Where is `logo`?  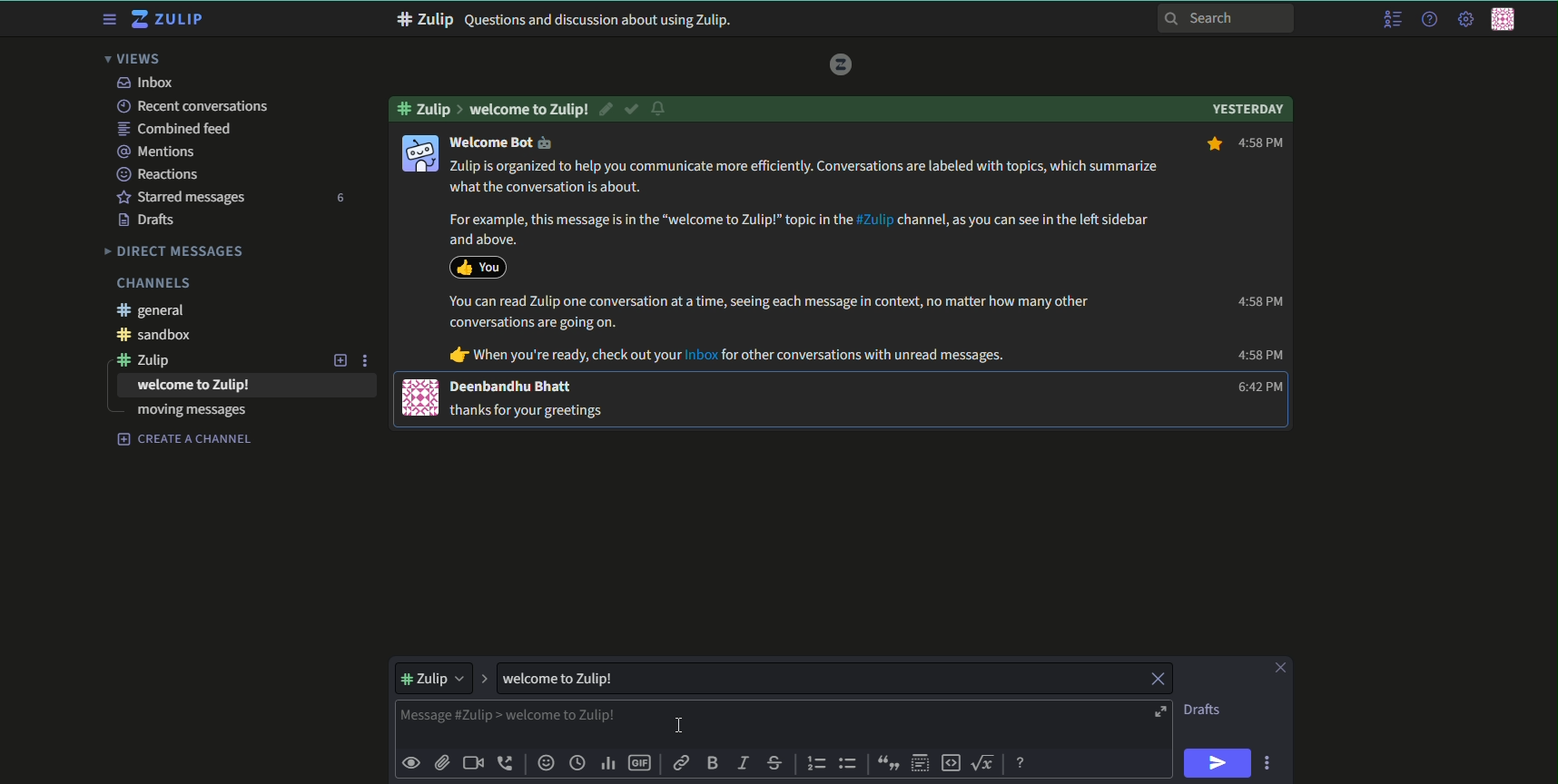 logo is located at coordinates (842, 64).